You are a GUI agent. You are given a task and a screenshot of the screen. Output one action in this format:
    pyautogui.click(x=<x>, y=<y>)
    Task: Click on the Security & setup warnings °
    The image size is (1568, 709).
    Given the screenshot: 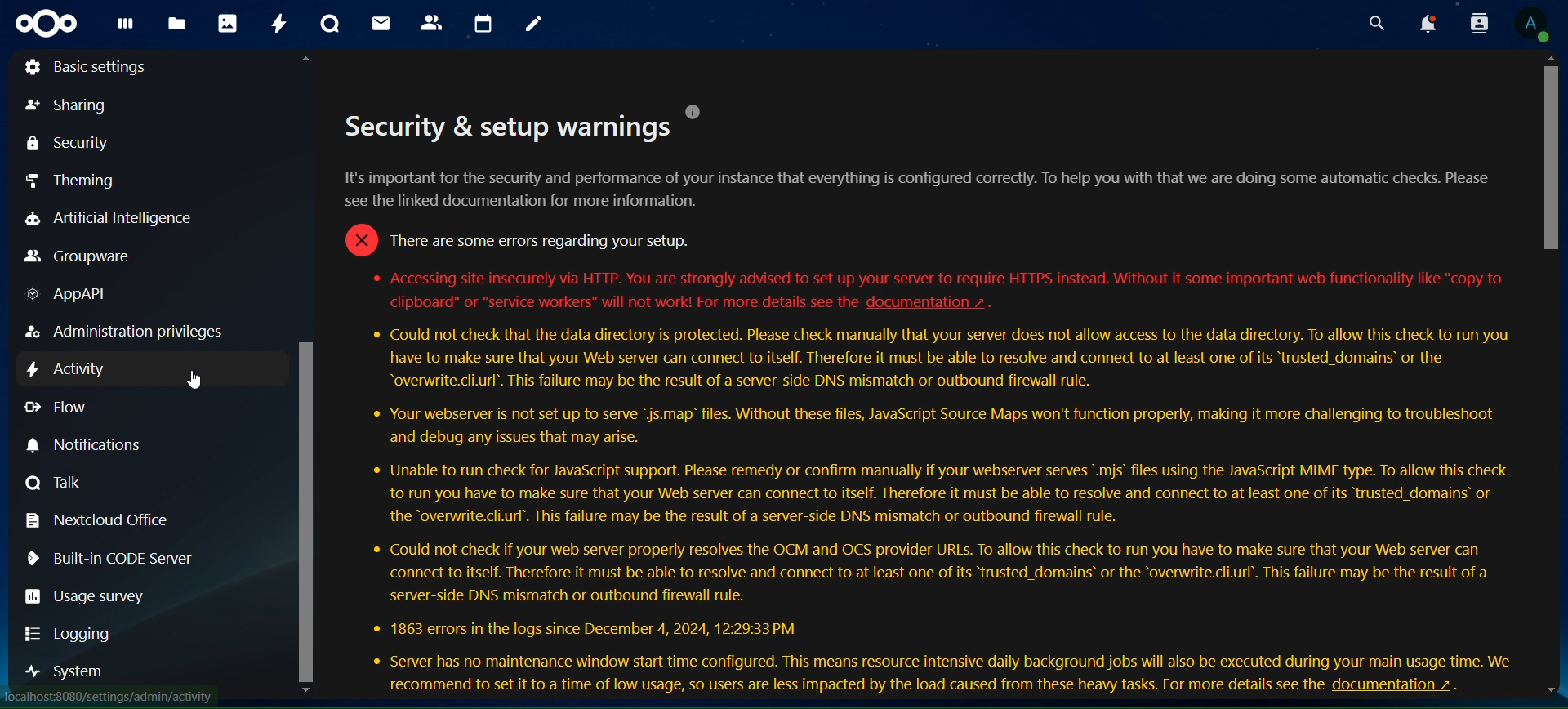 What is the action you would take?
    pyautogui.click(x=529, y=125)
    